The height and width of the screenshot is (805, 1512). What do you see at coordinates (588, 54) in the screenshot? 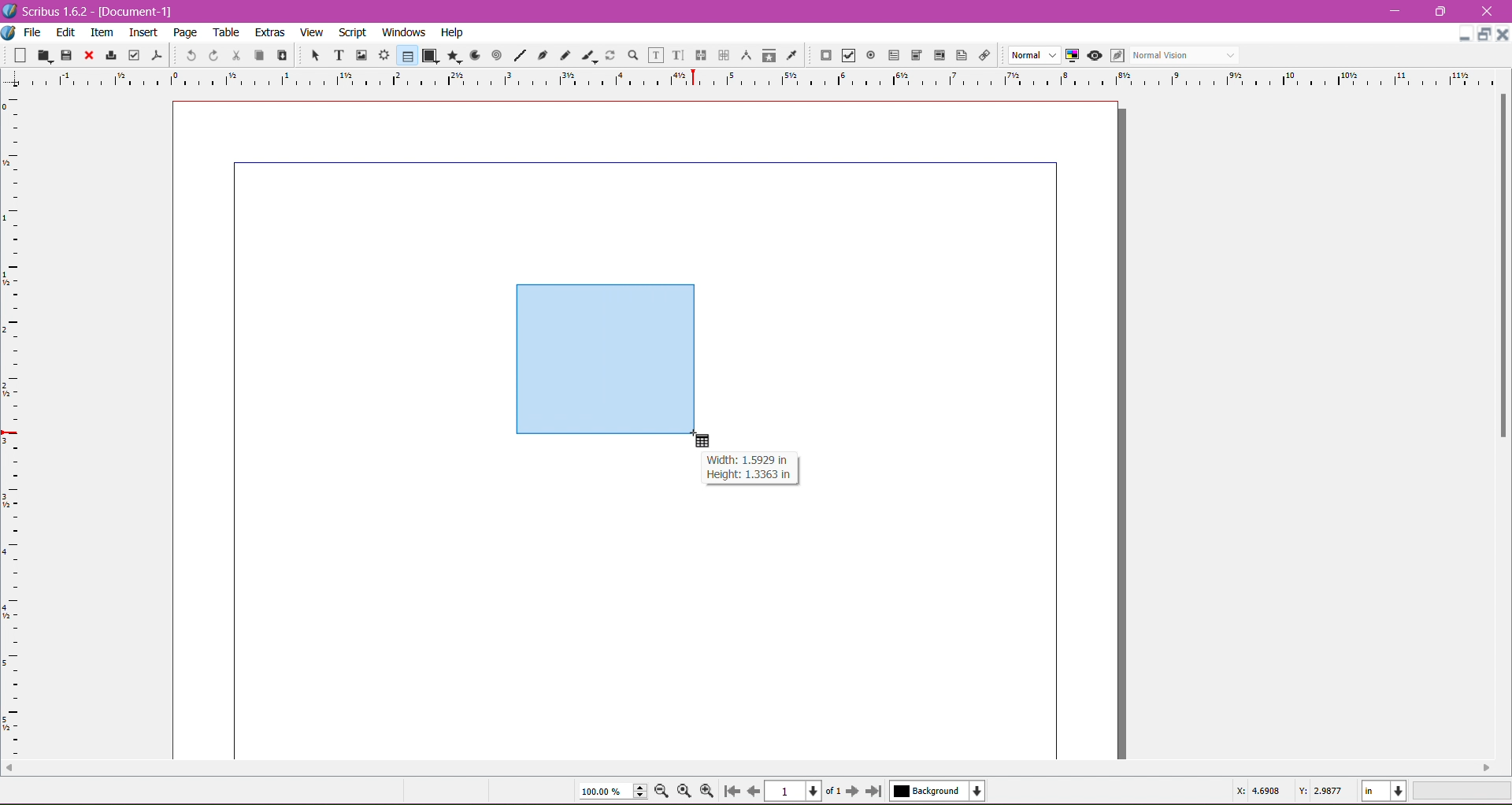
I see `Calligraphic Line` at bounding box center [588, 54].